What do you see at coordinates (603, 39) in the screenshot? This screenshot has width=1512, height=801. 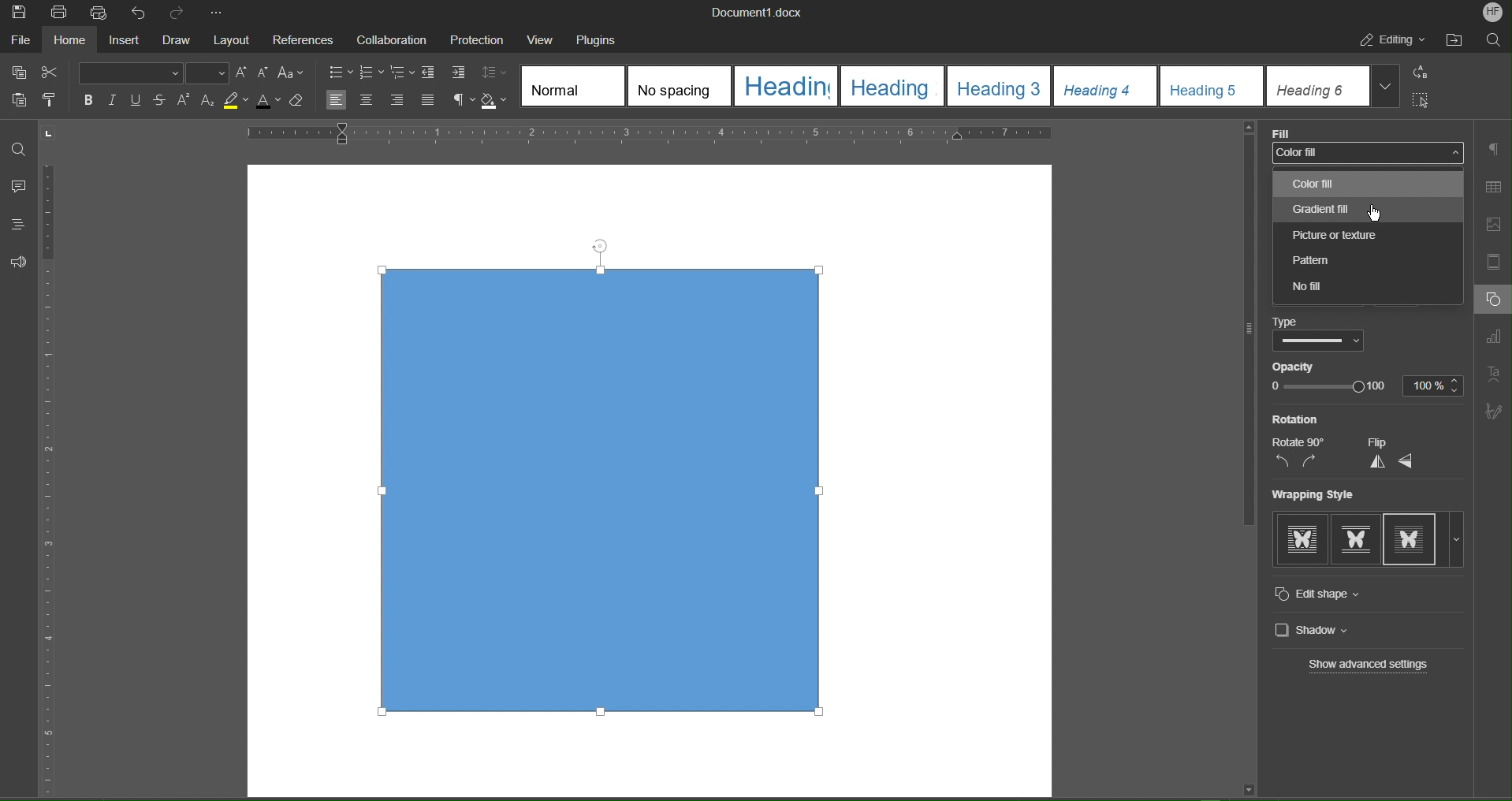 I see `Plugins` at bounding box center [603, 39].